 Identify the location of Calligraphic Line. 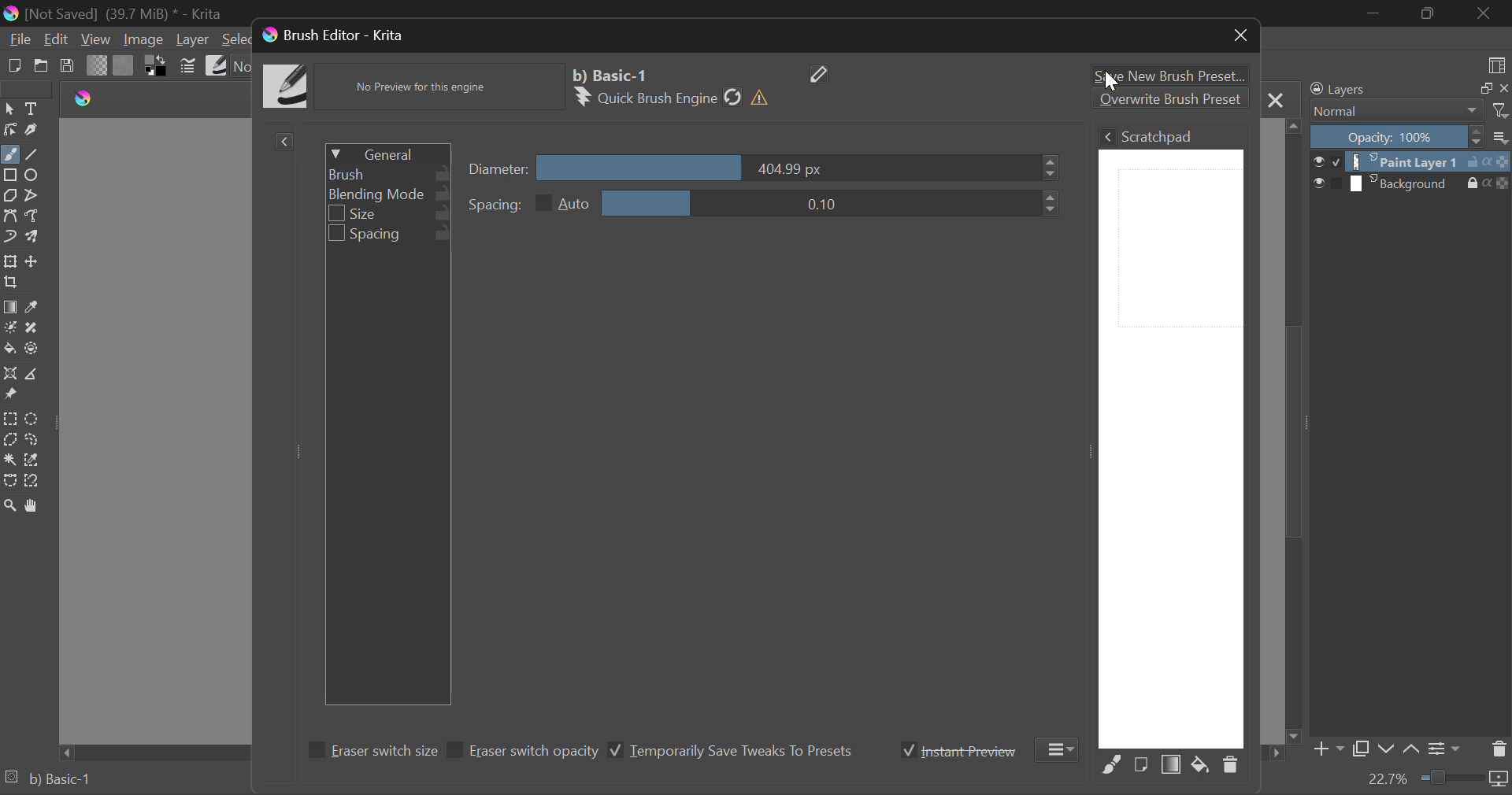
(30, 129).